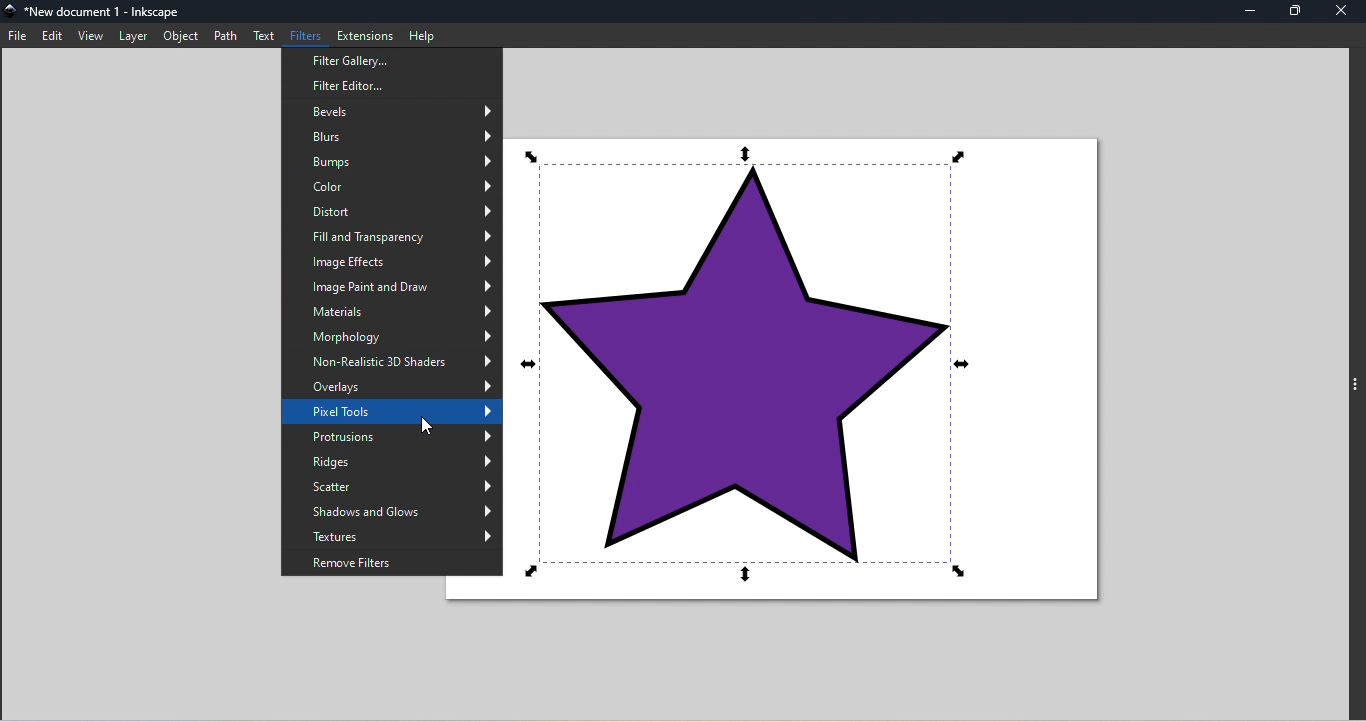 Image resolution: width=1366 pixels, height=722 pixels. What do you see at coordinates (102, 11) in the screenshot?
I see `File name` at bounding box center [102, 11].